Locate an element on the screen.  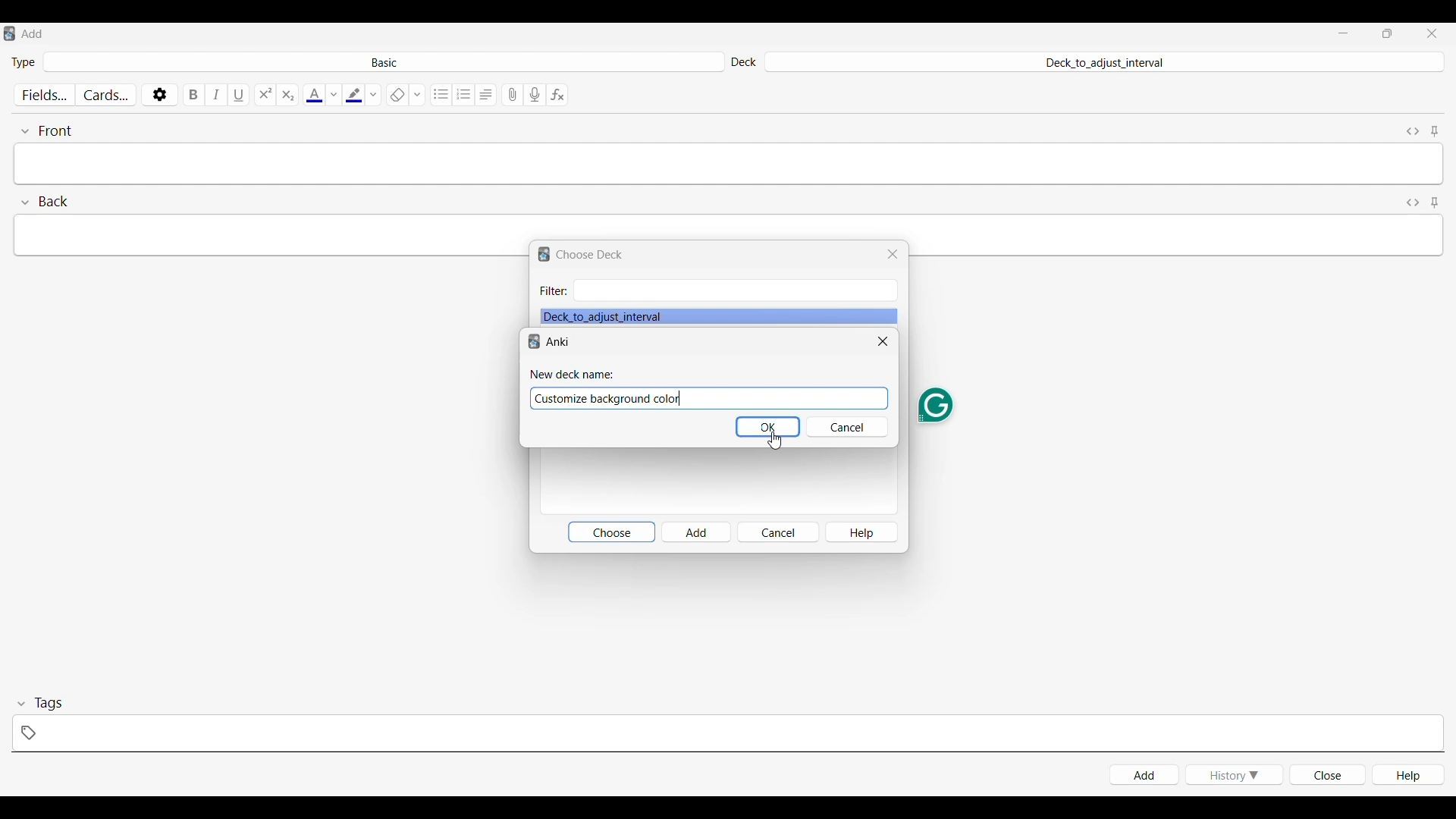
Help is located at coordinates (1408, 774).